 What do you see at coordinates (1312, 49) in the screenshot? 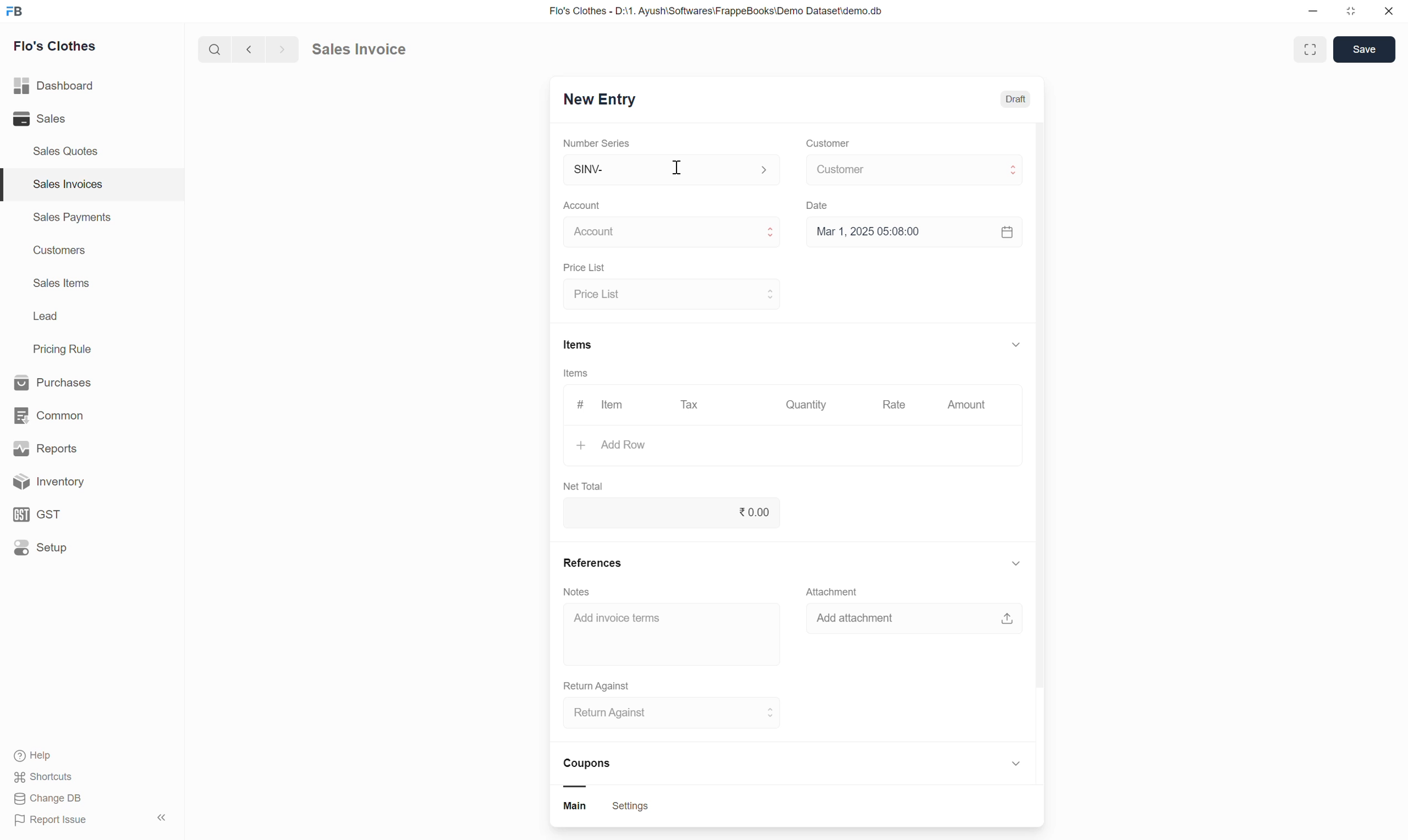
I see `full screen` at bounding box center [1312, 49].